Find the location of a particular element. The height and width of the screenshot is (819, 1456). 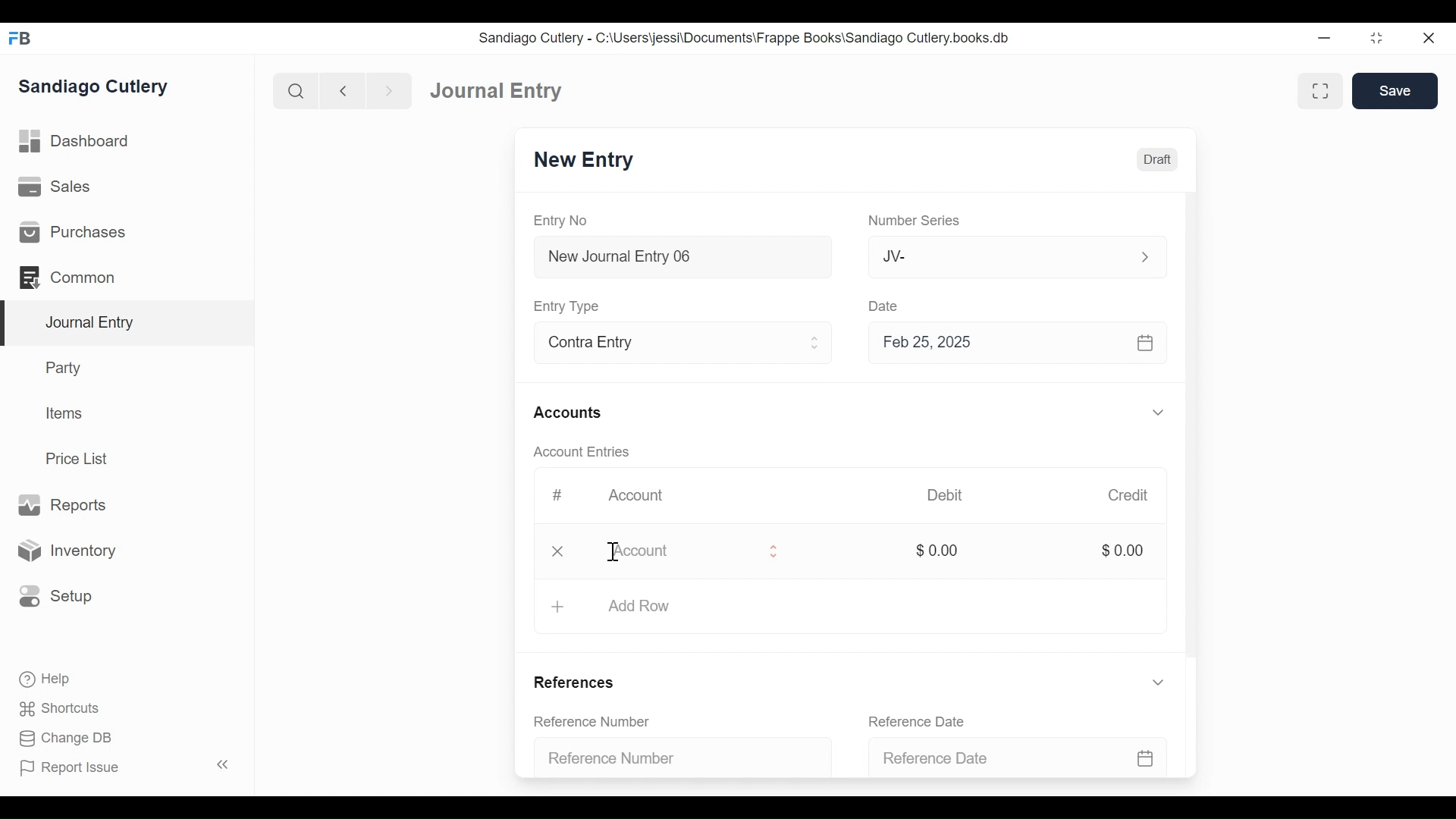

Dashboard is located at coordinates (76, 142).